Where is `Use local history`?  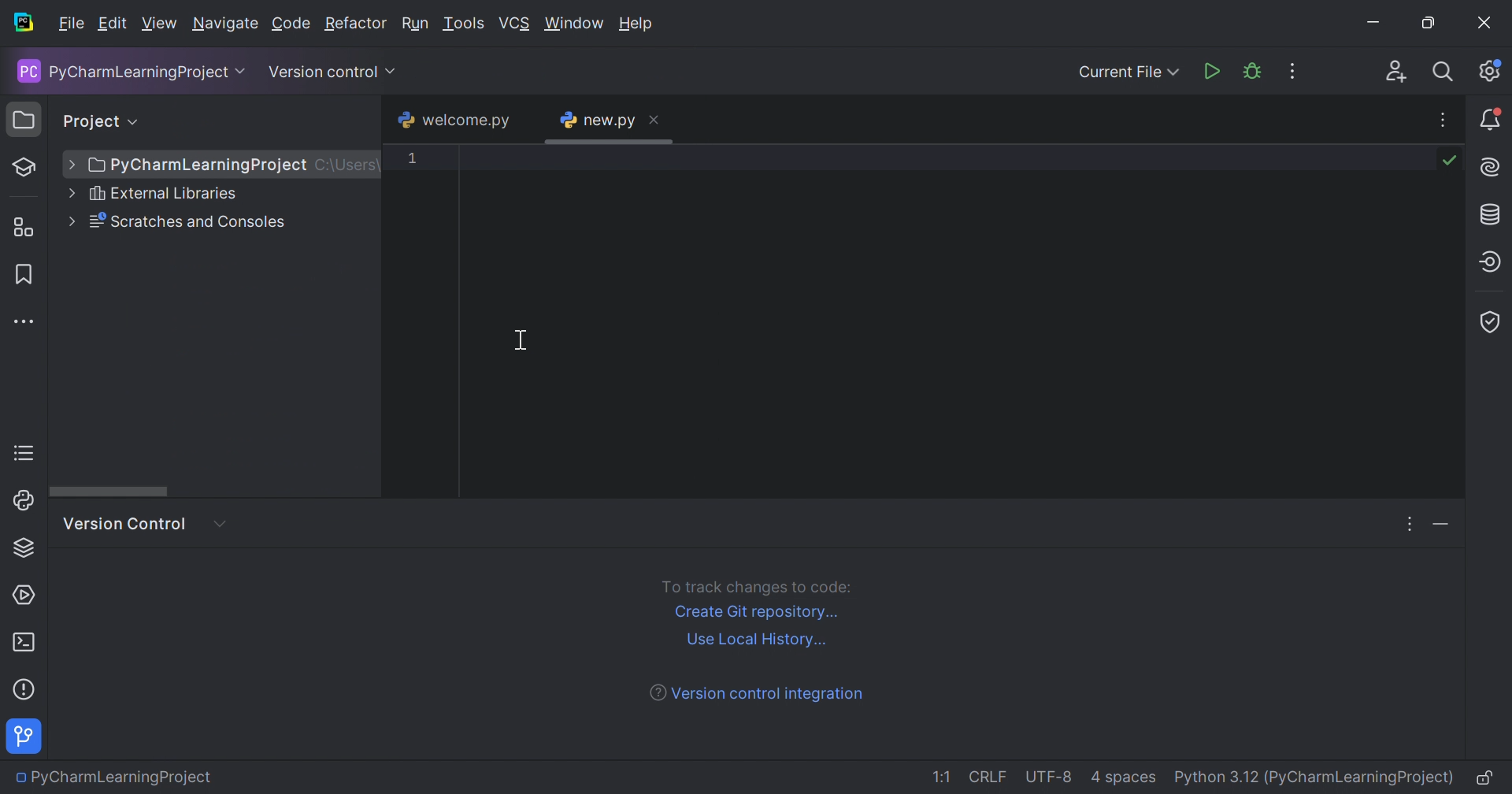
Use local history is located at coordinates (761, 641).